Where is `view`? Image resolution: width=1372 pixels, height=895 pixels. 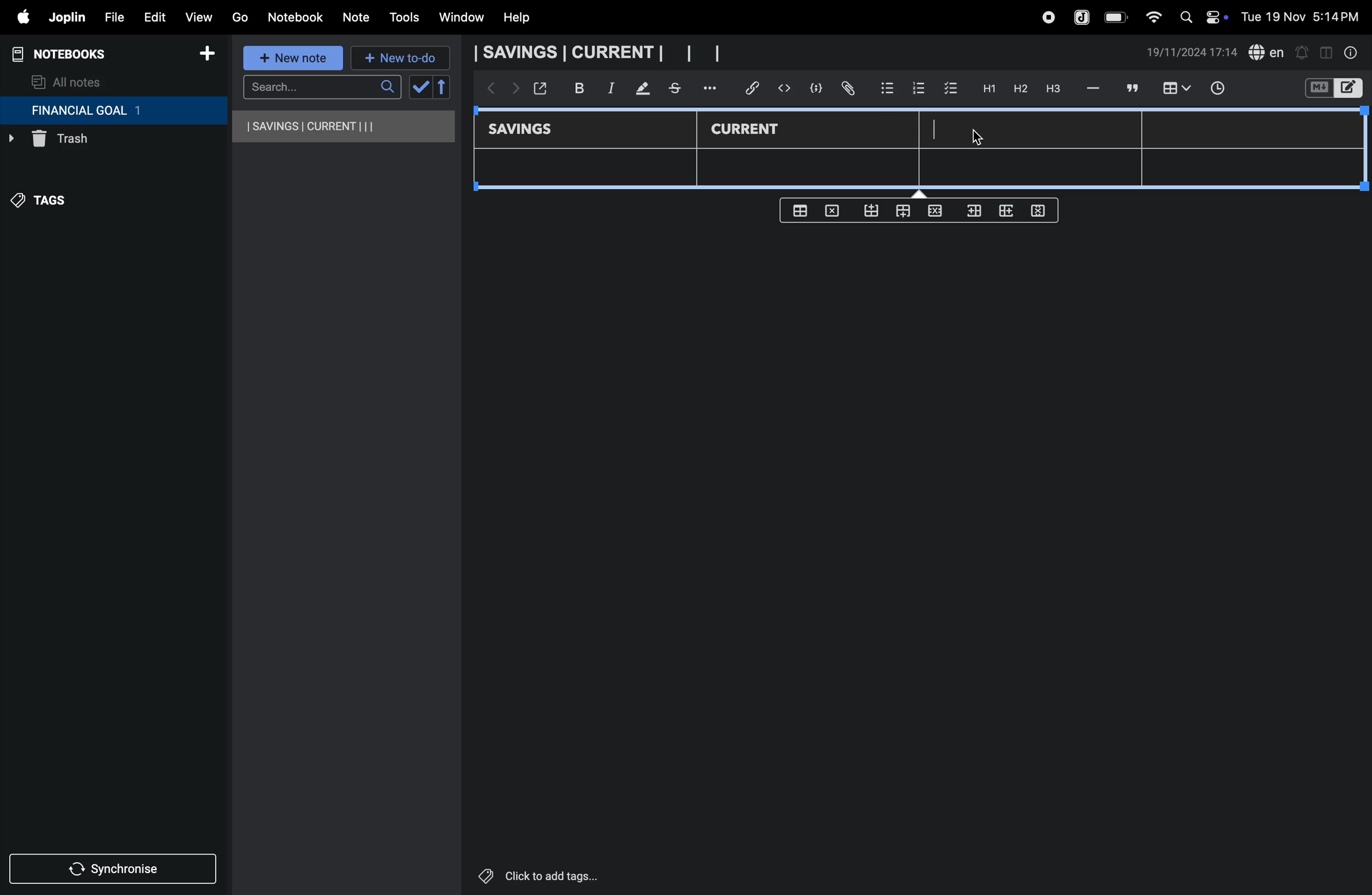
view is located at coordinates (198, 14).